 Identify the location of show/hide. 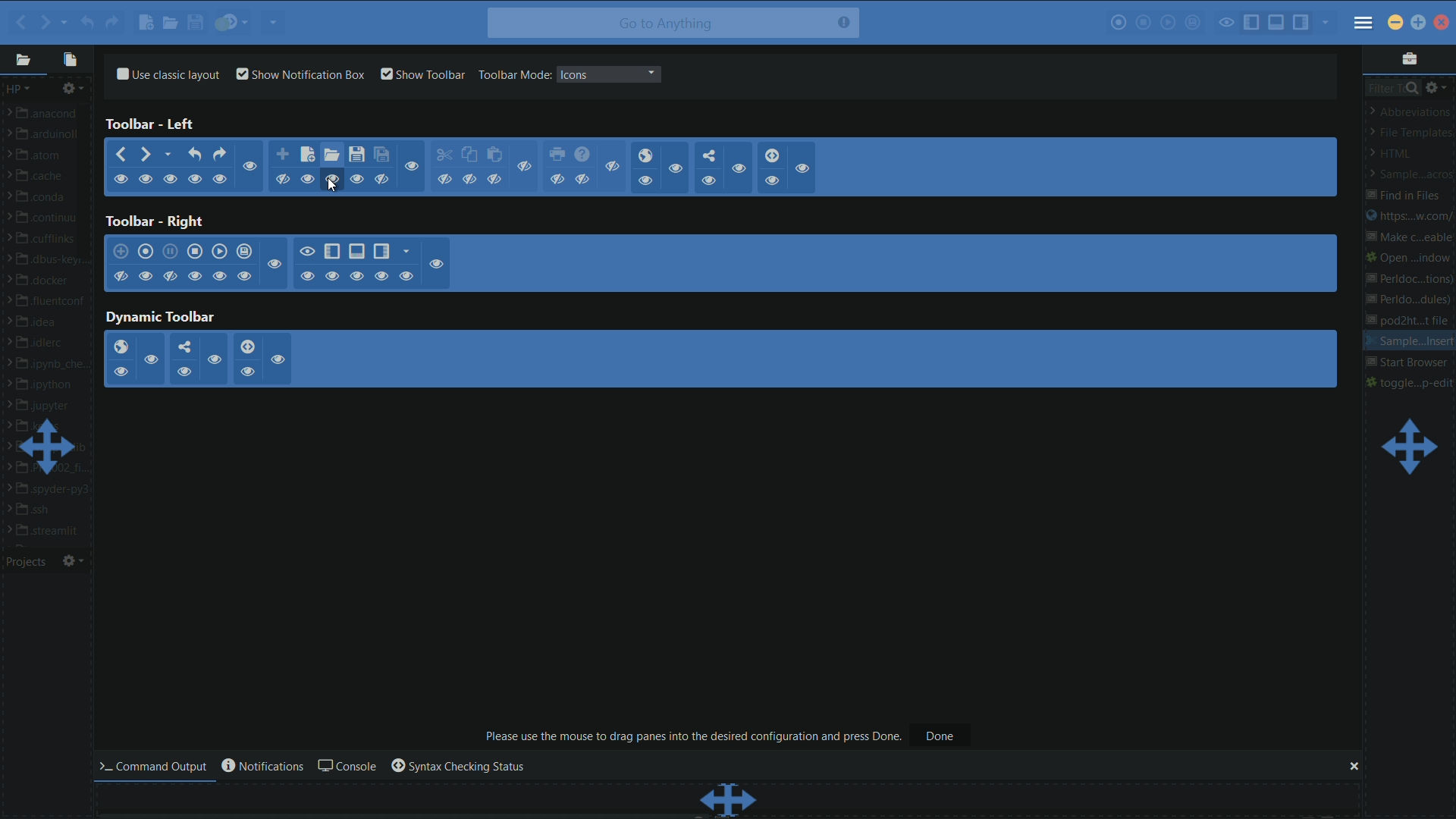
(710, 182).